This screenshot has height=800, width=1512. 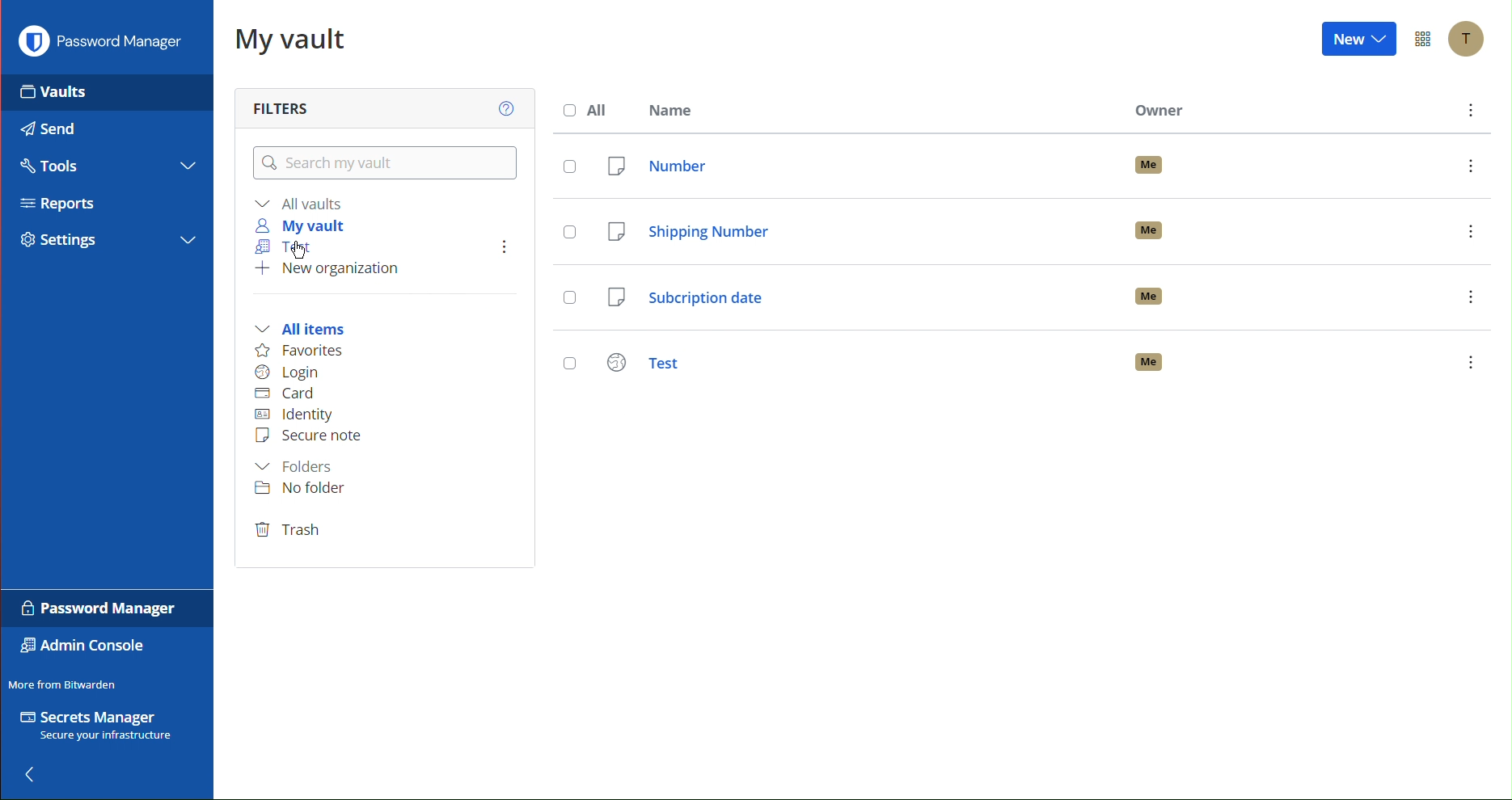 I want to click on Cursor, so click(x=301, y=251).